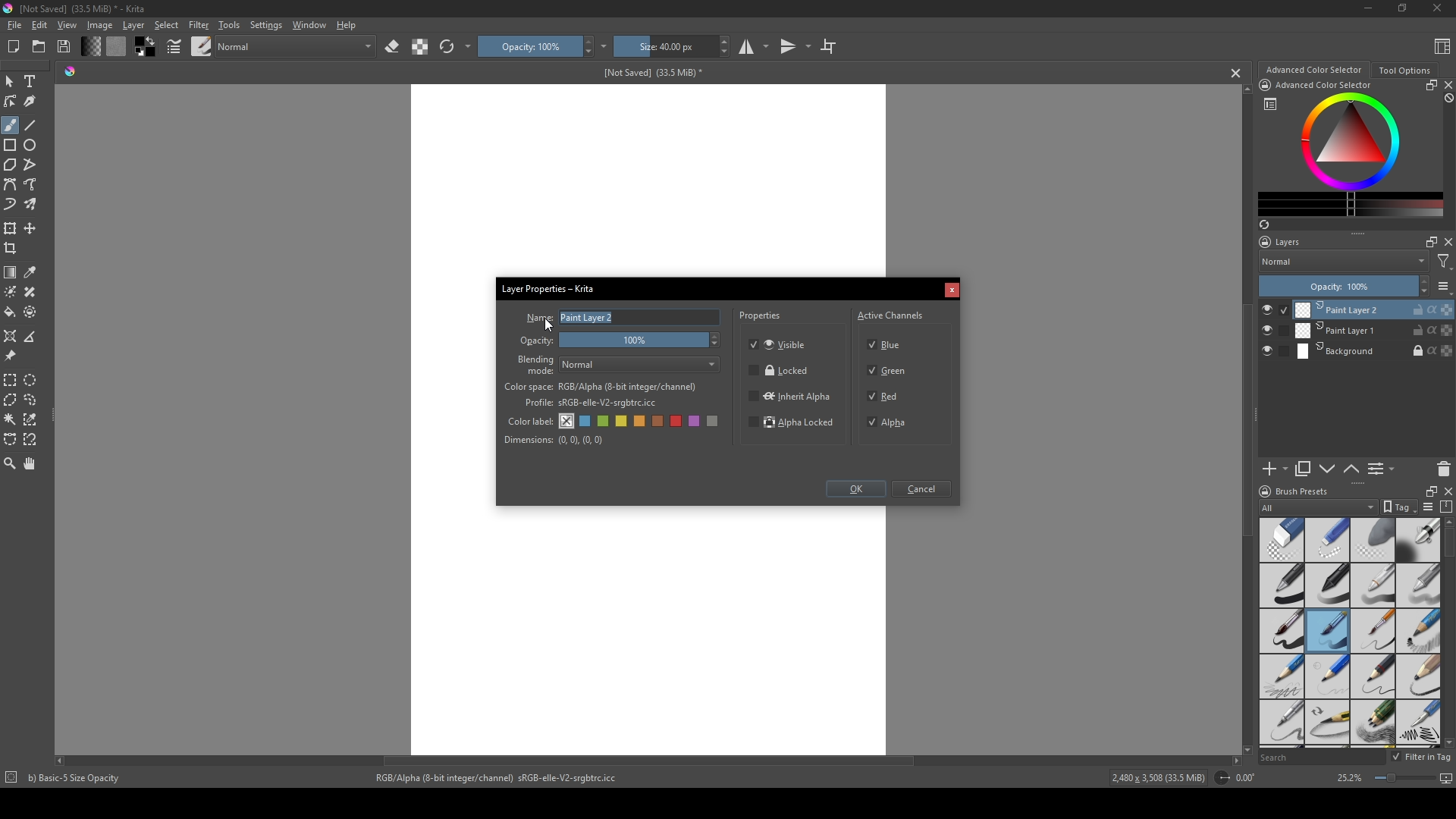 This screenshot has height=819, width=1456. What do you see at coordinates (1447, 85) in the screenshot?
I see `close` at bounding box center [1447, 85].